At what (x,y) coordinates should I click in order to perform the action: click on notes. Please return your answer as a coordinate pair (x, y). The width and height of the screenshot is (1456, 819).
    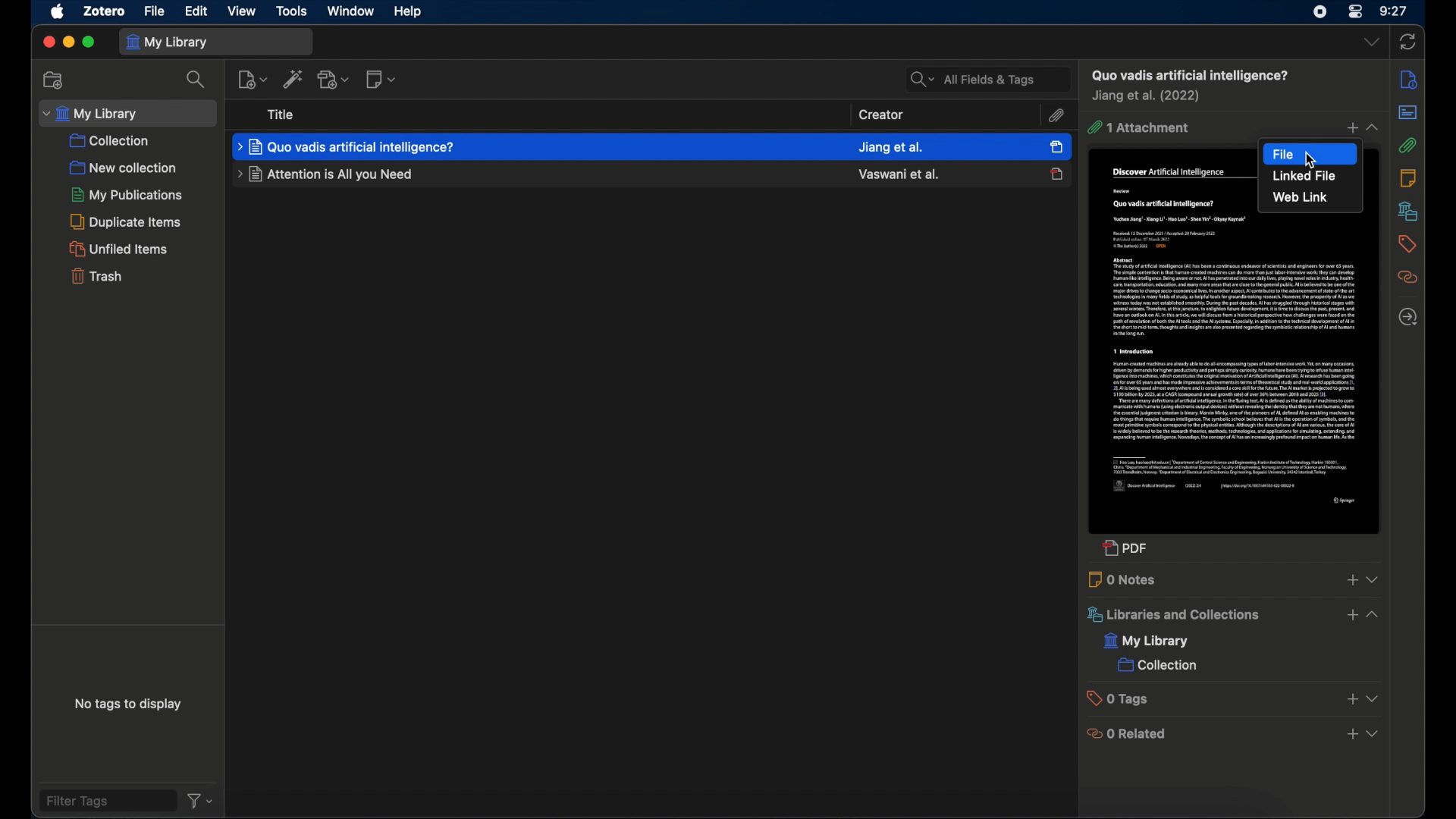
    Looking at the image, I should click on (1408, 177).